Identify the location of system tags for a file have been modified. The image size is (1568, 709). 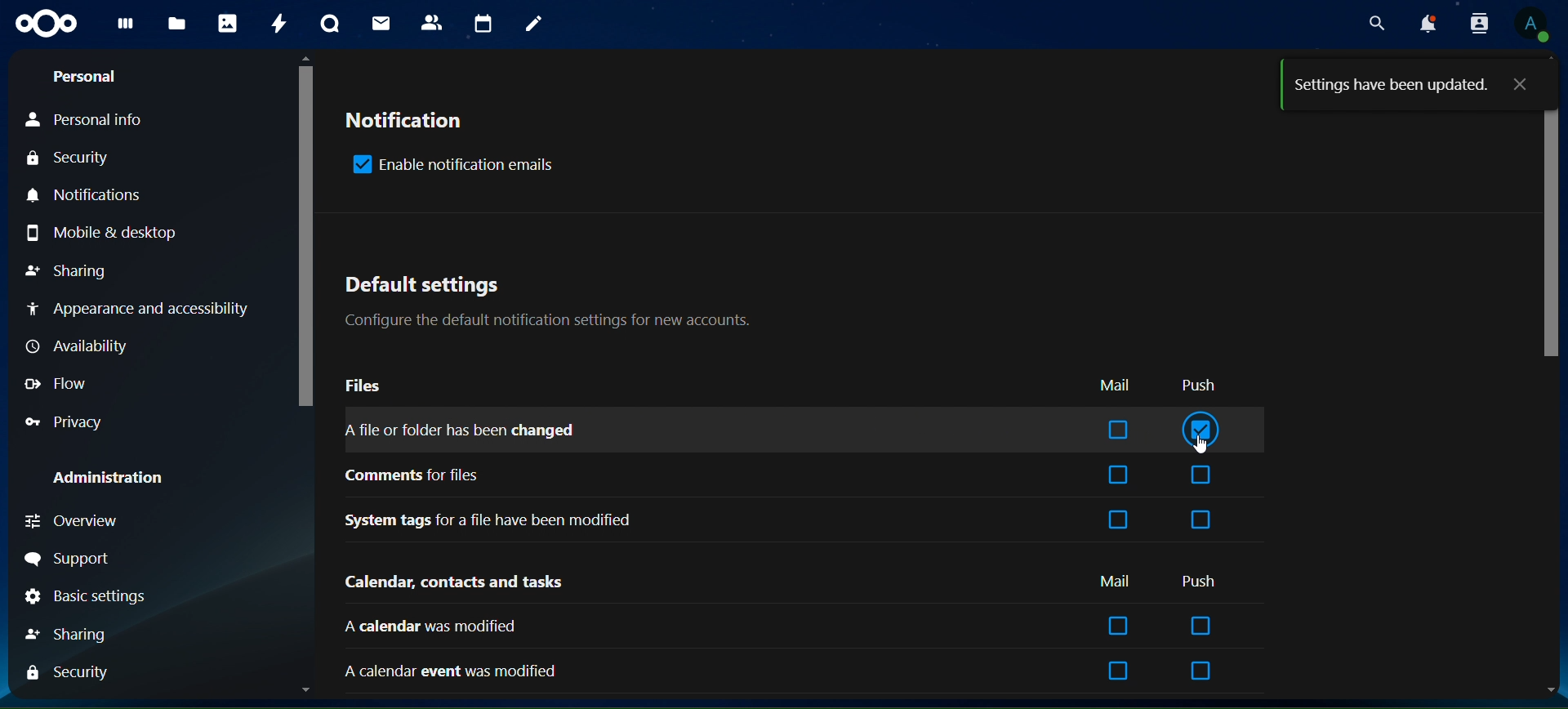
(494, 519).